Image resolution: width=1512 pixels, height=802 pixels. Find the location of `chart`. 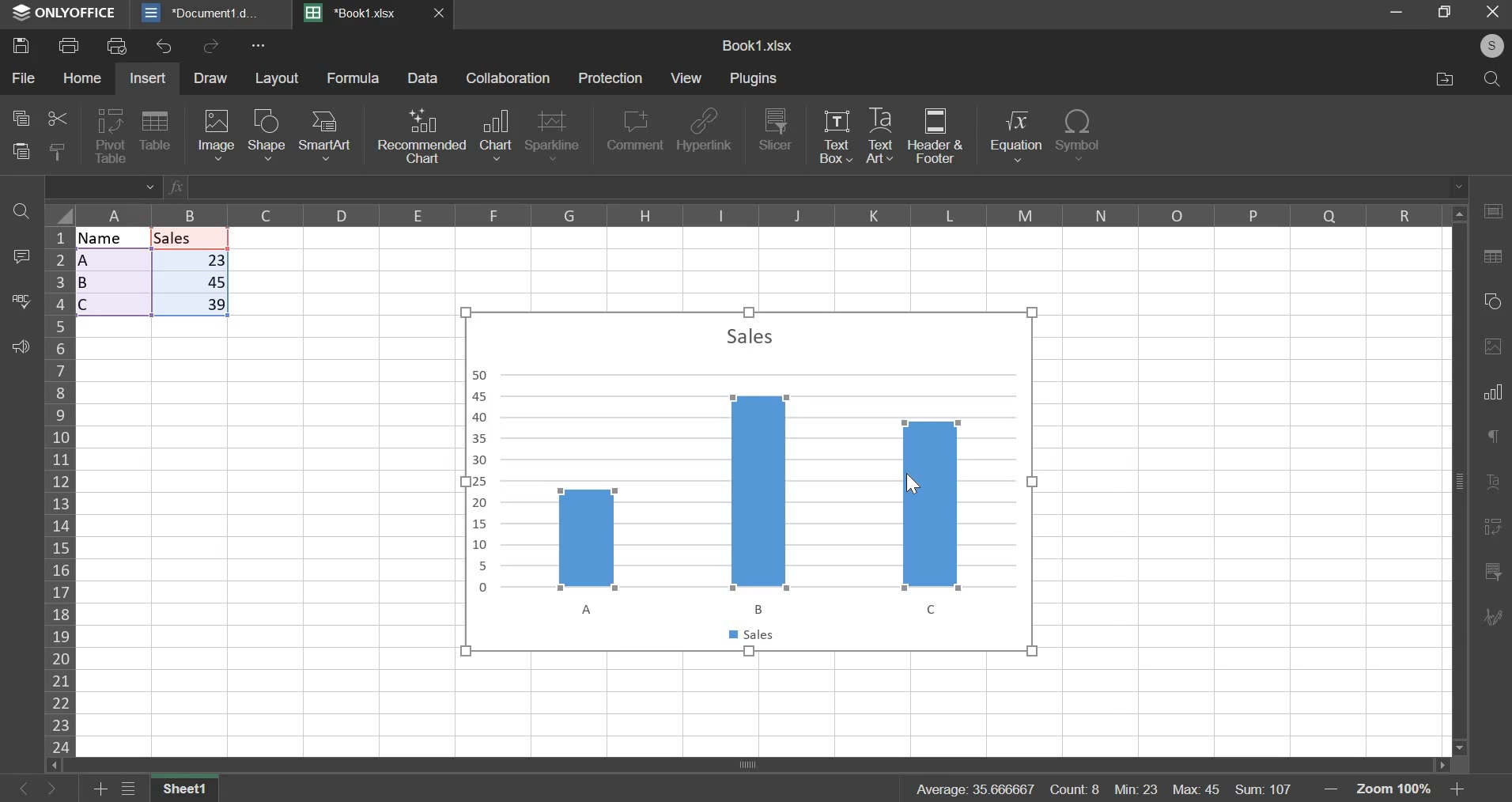

chart is located at coordinates (750, 479).